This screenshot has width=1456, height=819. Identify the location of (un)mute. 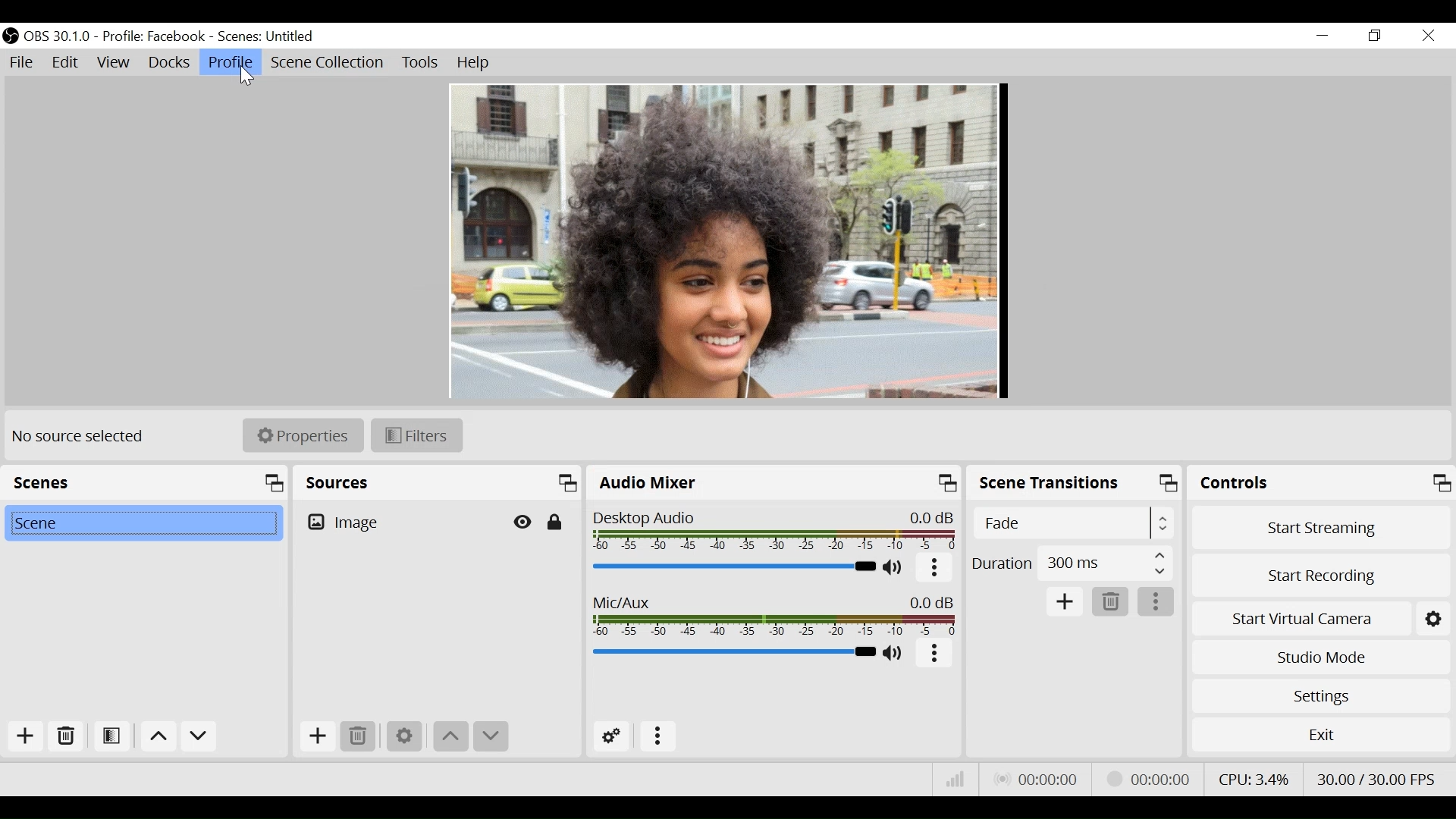
(897, 654).